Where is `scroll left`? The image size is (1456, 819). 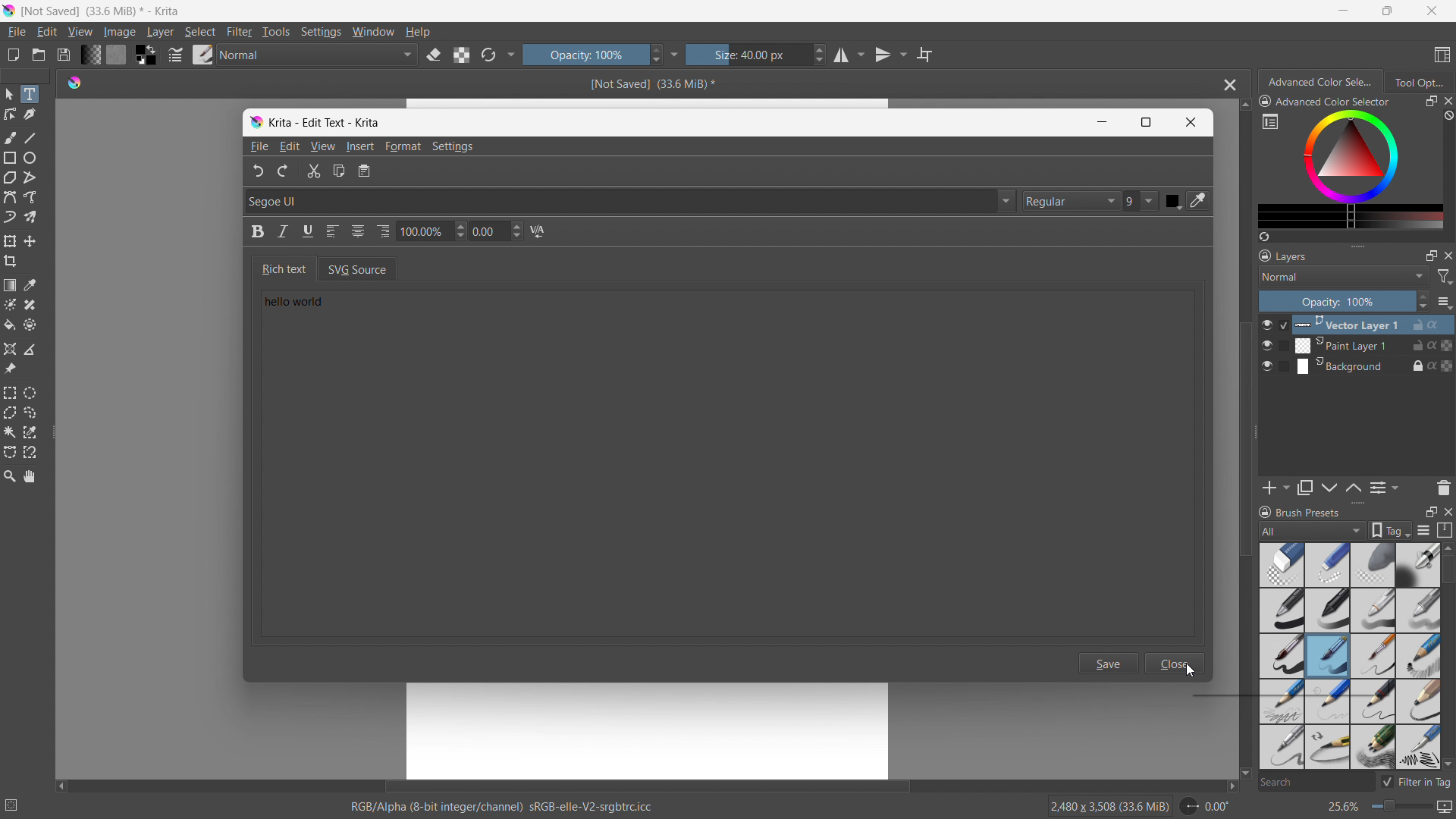 scroll left is located at coordinates (61, 783).